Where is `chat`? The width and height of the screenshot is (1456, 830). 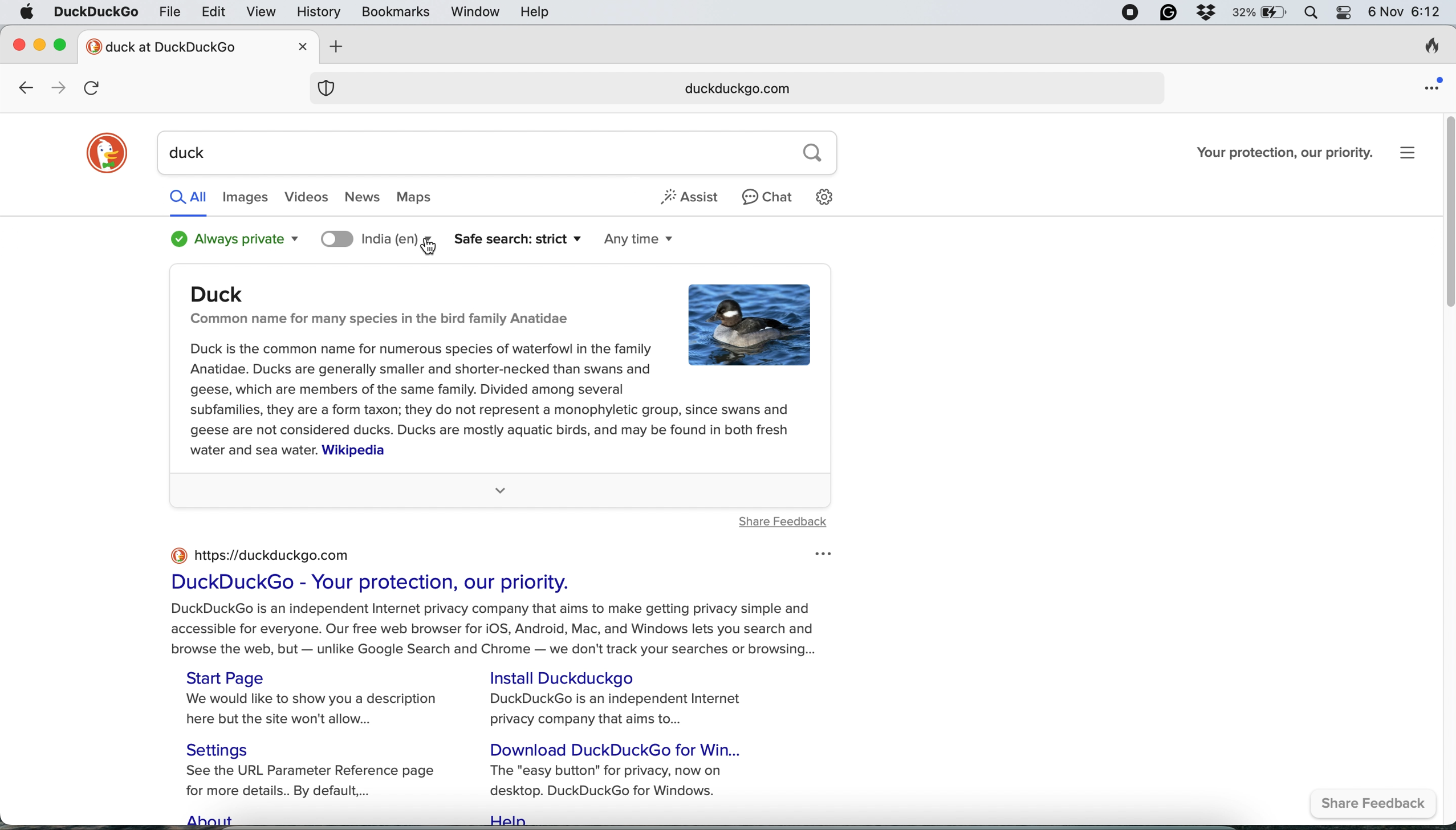
chat is located at coordinates (768, 196).